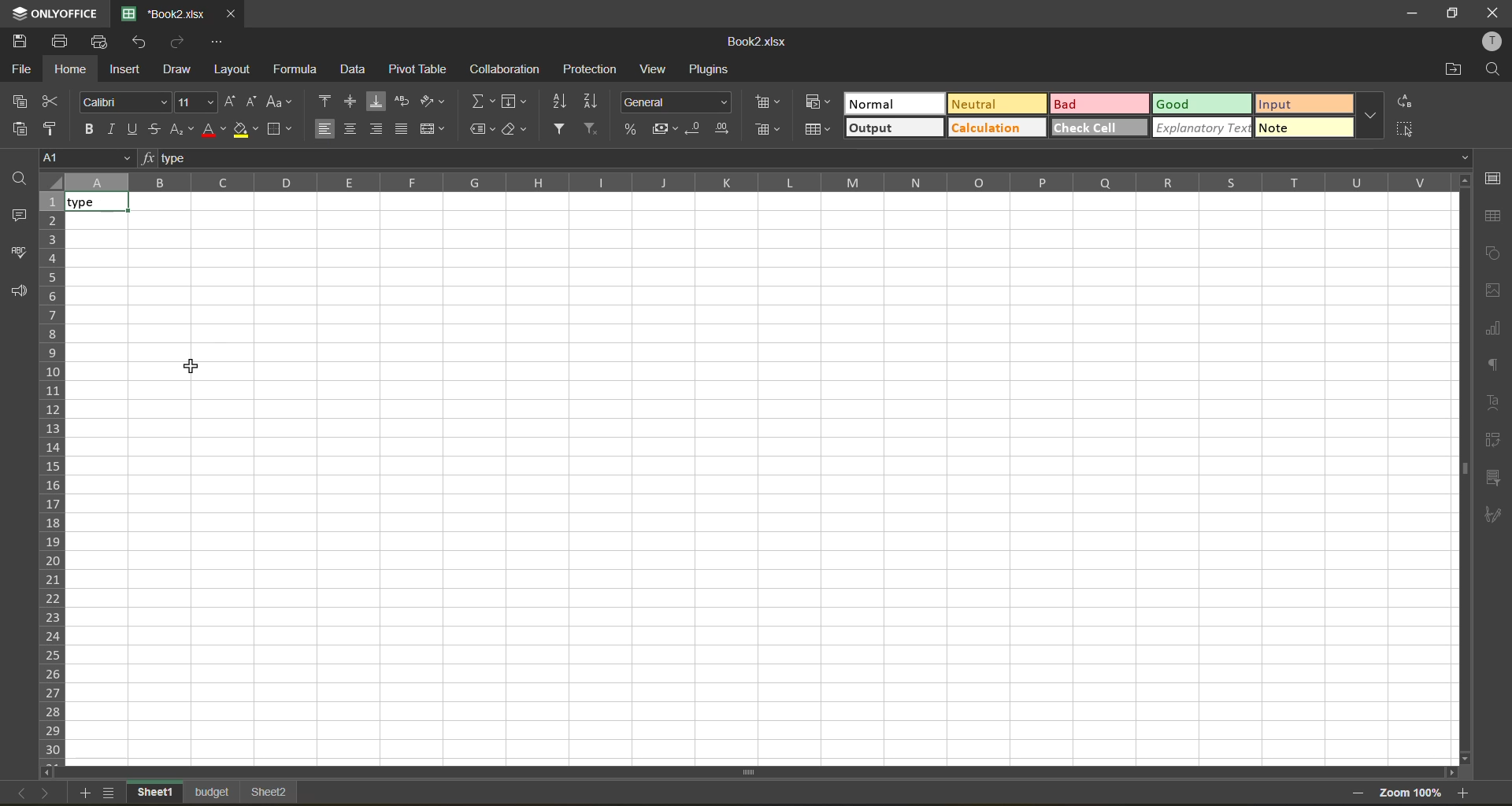 The width and height of the screenshot is (1512, 806). I want to click on file, so click(19, 71).